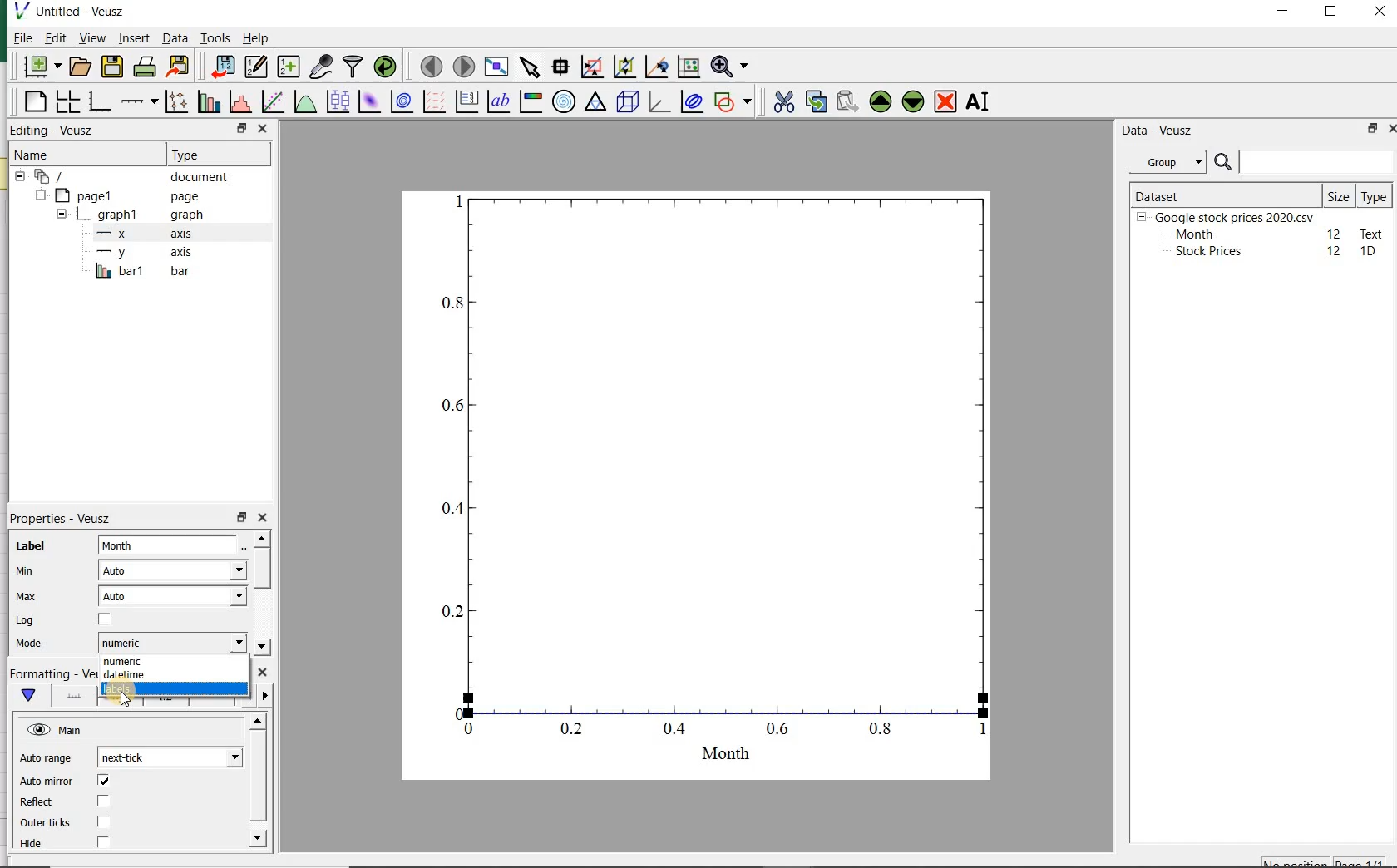 This screenshot has height=868, width=1397. What do you see at coordinates (659, 103) in the screenshot?
I see `3d graph` at bounding box center [659, 103].